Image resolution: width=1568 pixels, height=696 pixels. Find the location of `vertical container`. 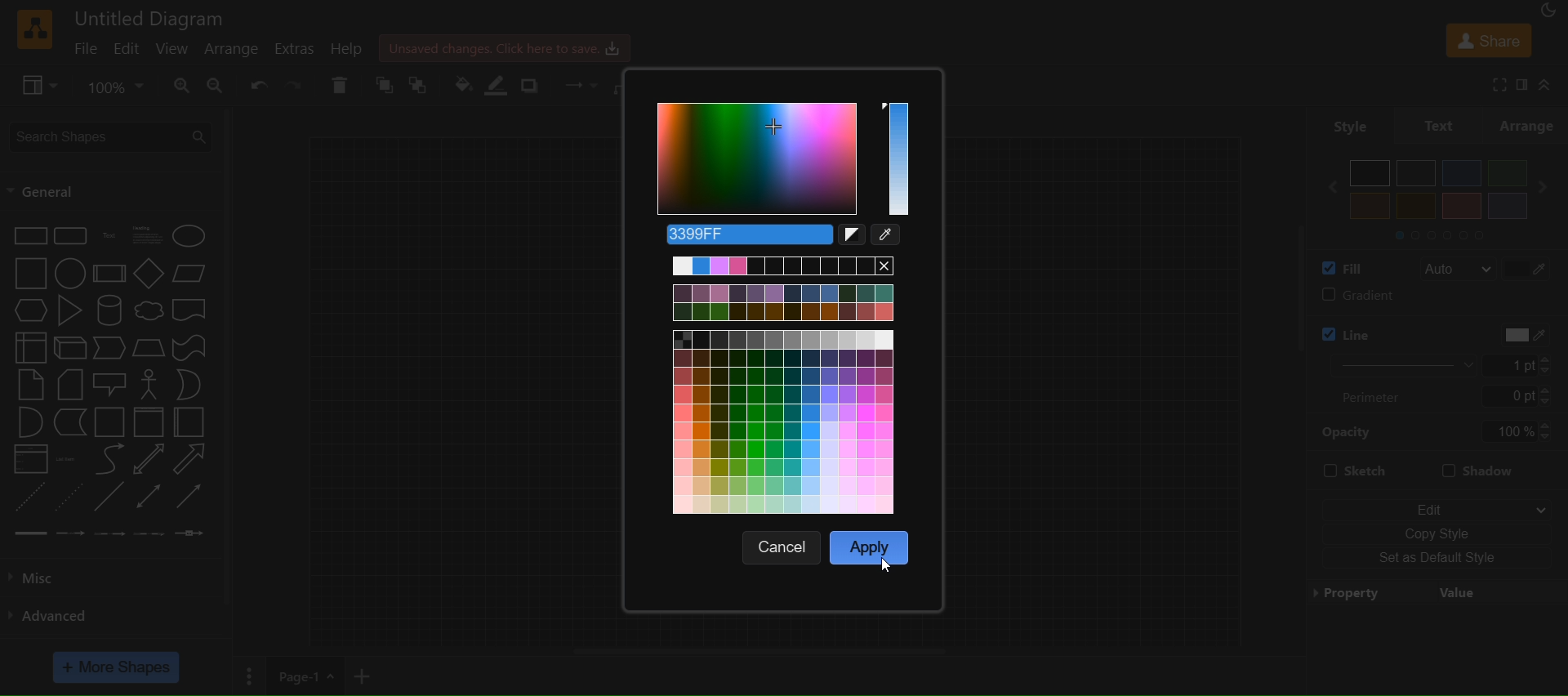

vertical container is located at coordinates (148, 424).